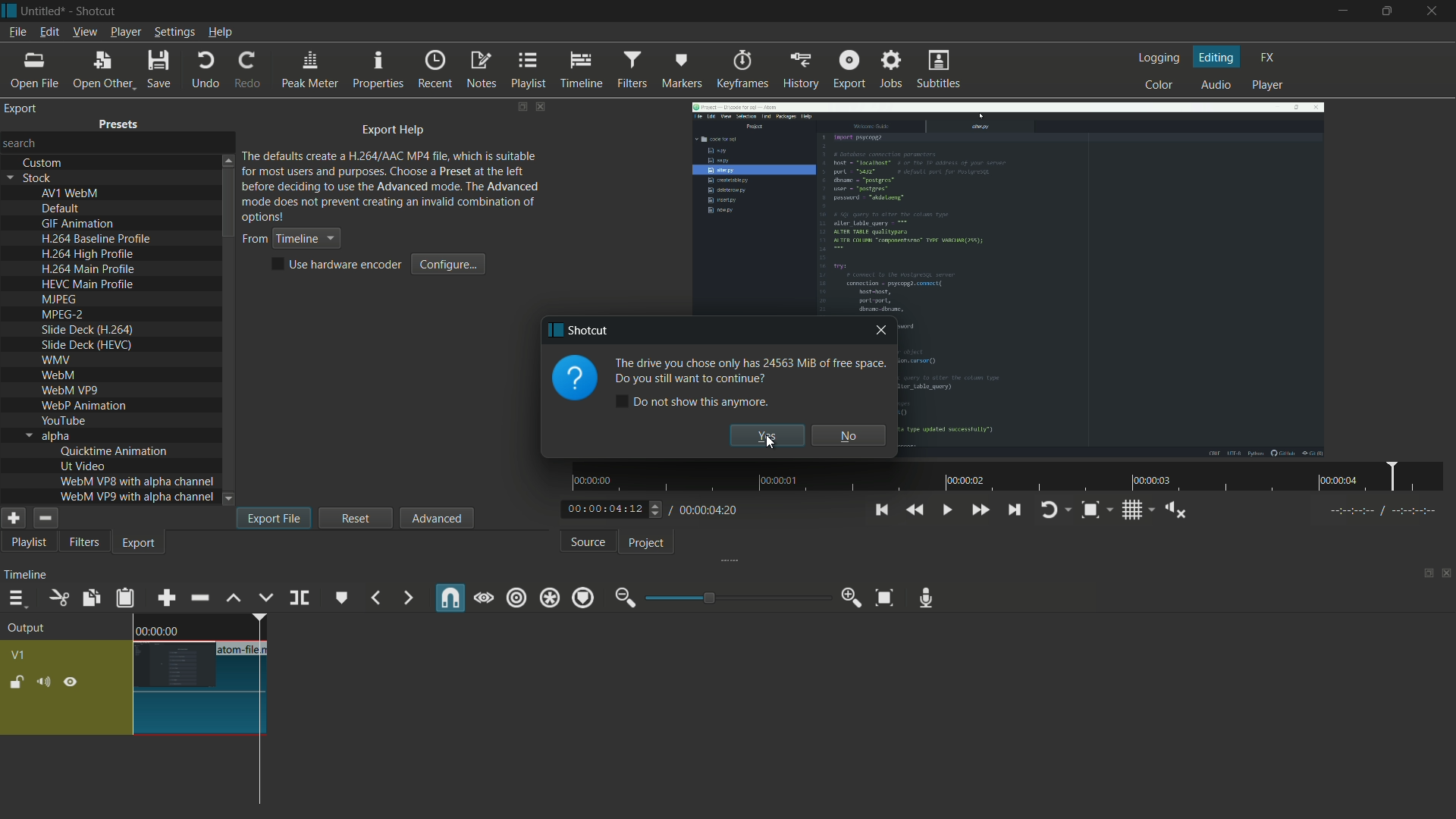 The image size is (1456, 819). I want to click on stock dropdown, so click(33, 178).